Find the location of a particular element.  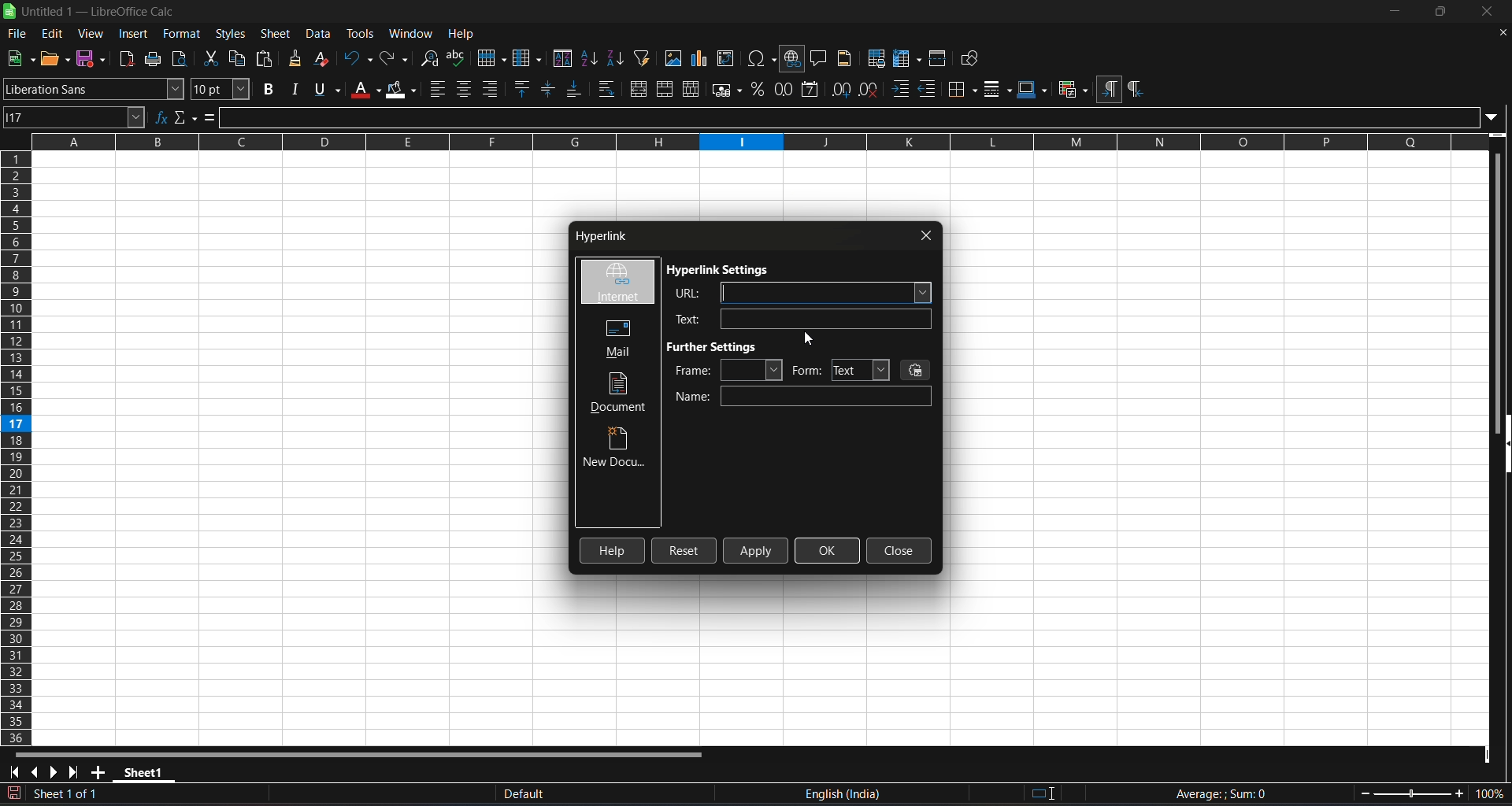

text language  is located at coordinates (904, 794).